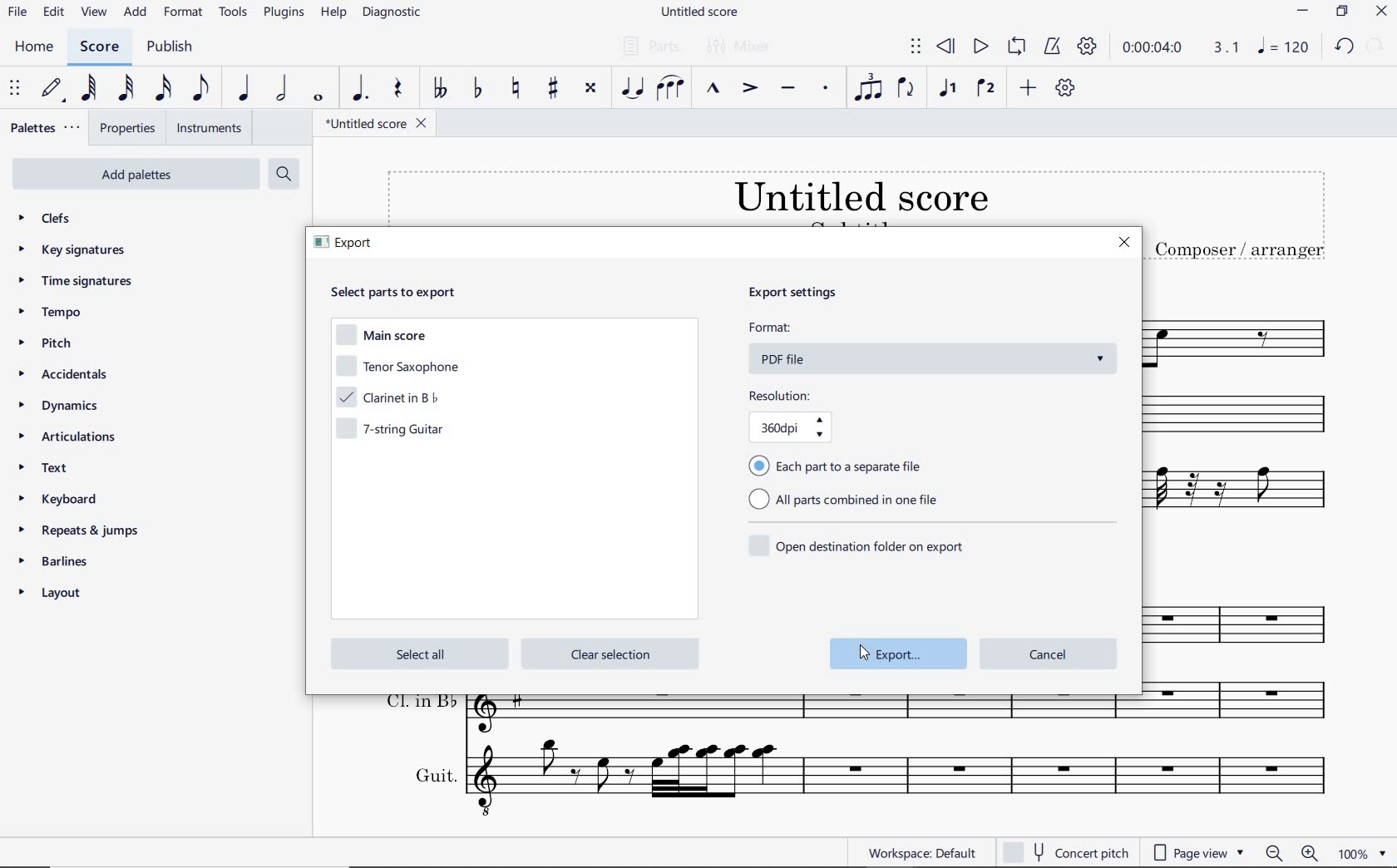  What do you see at coordinates (629, 87) in the screenshot?
I see `TIE` at bounding box center [629, 87].